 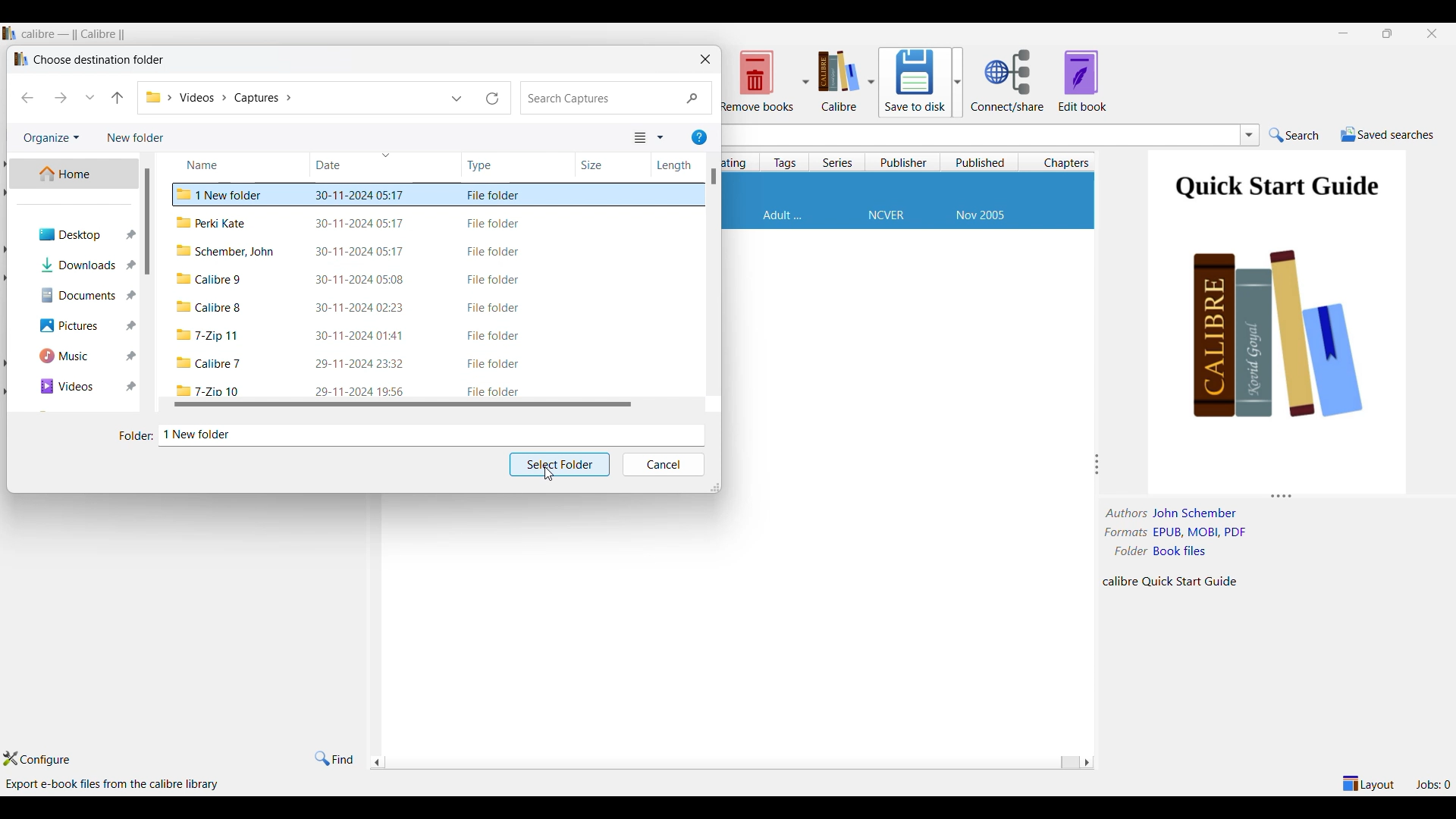 What do you see at coordinates (213, 224) in the screenshot?
I see `folder` at bounding box center [213, 224].